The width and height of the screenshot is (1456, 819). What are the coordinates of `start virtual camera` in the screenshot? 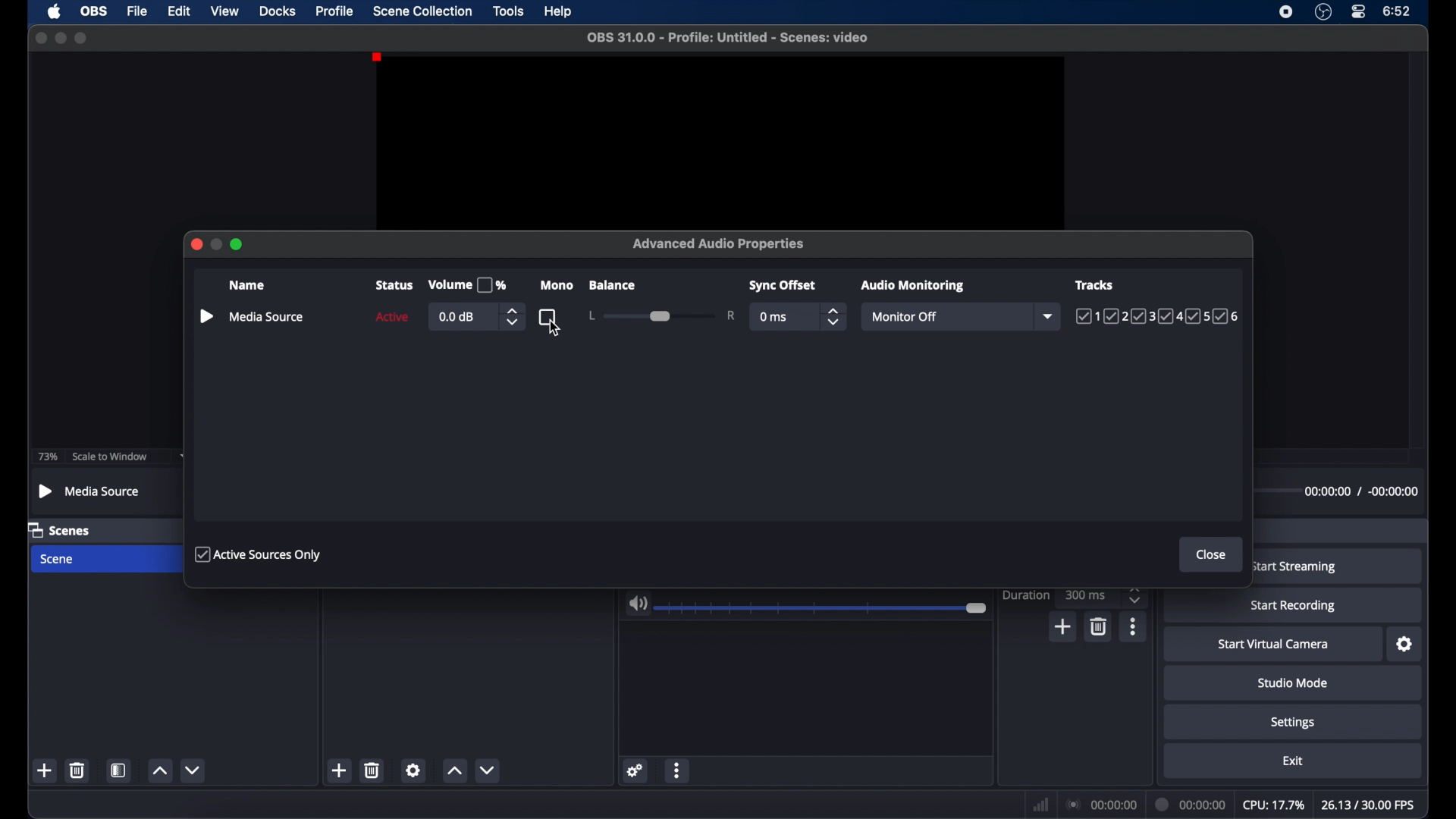 It's located at (1274, 645).